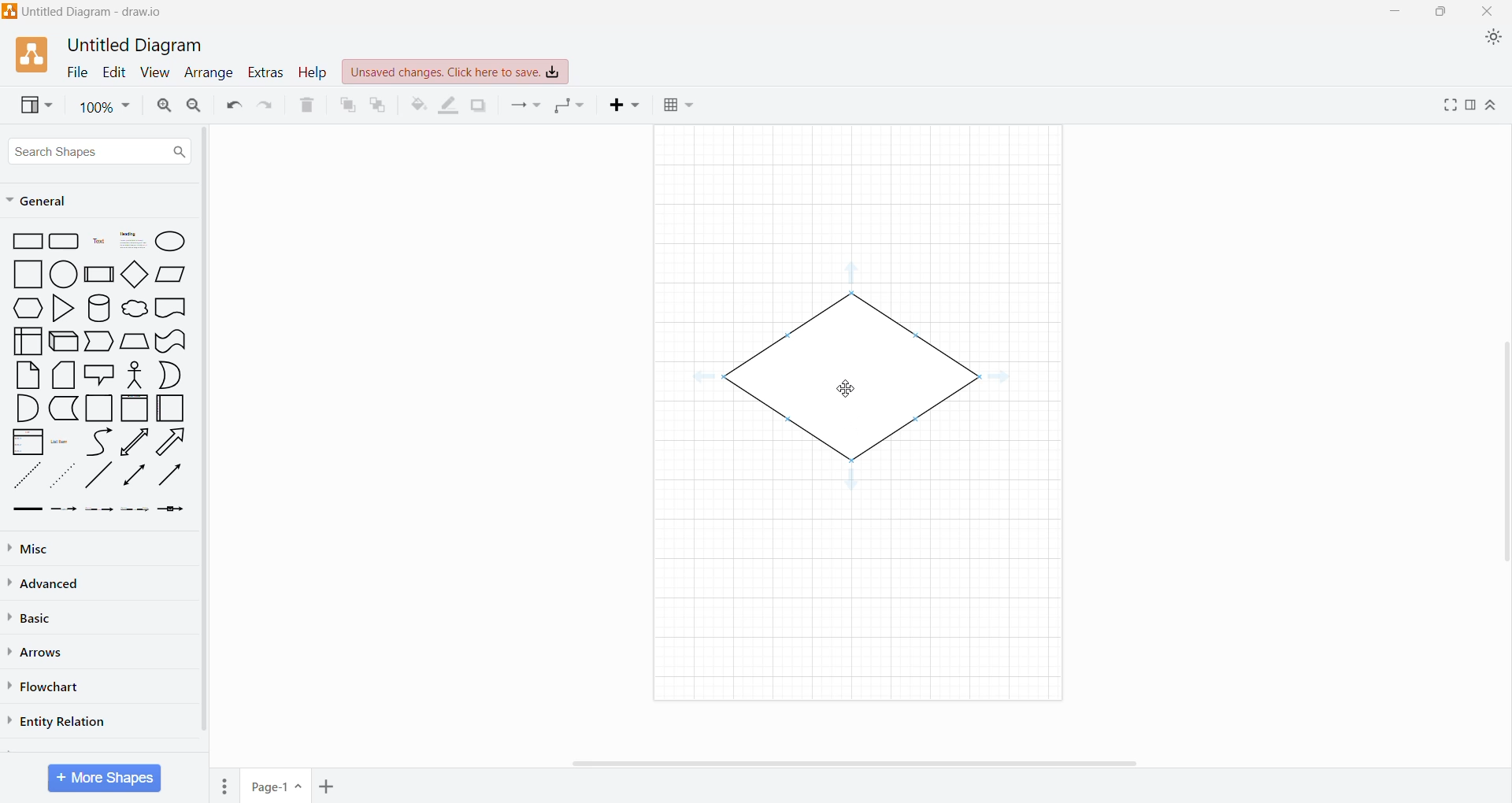  I want to click on Undo, so click(234, 105).